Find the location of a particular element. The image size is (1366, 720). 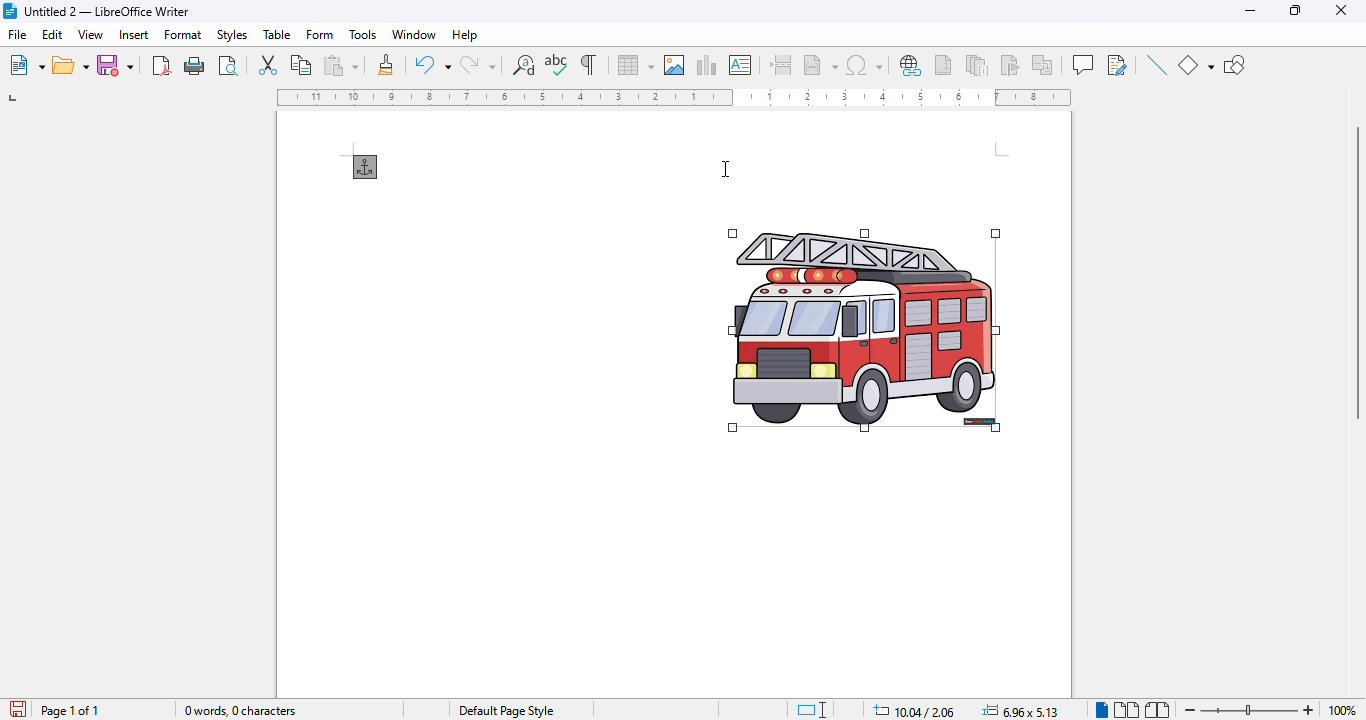

insert page break is located at coordinates (781, 65).